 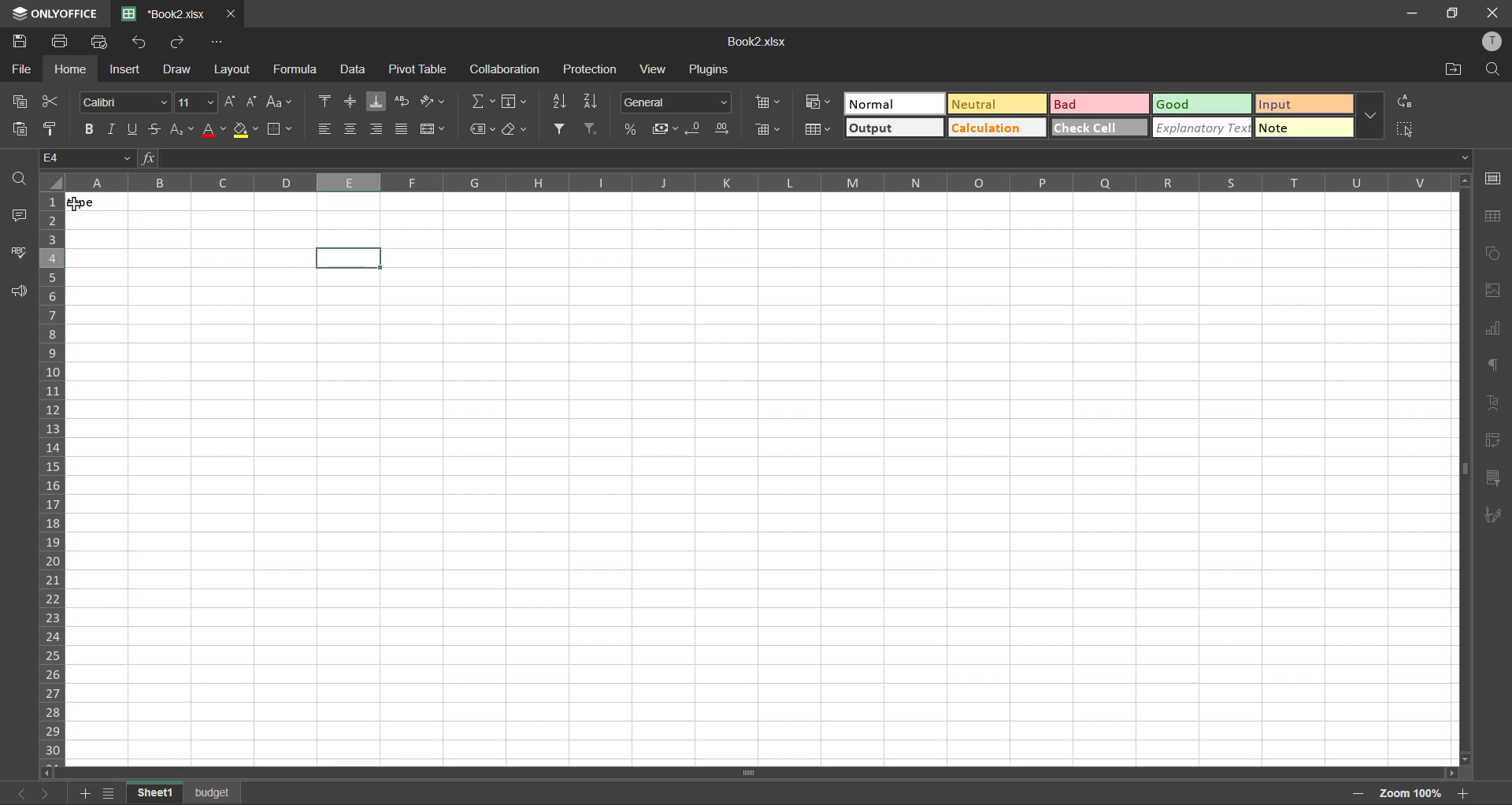 I want to click on insert, so click(x=127, y=72).